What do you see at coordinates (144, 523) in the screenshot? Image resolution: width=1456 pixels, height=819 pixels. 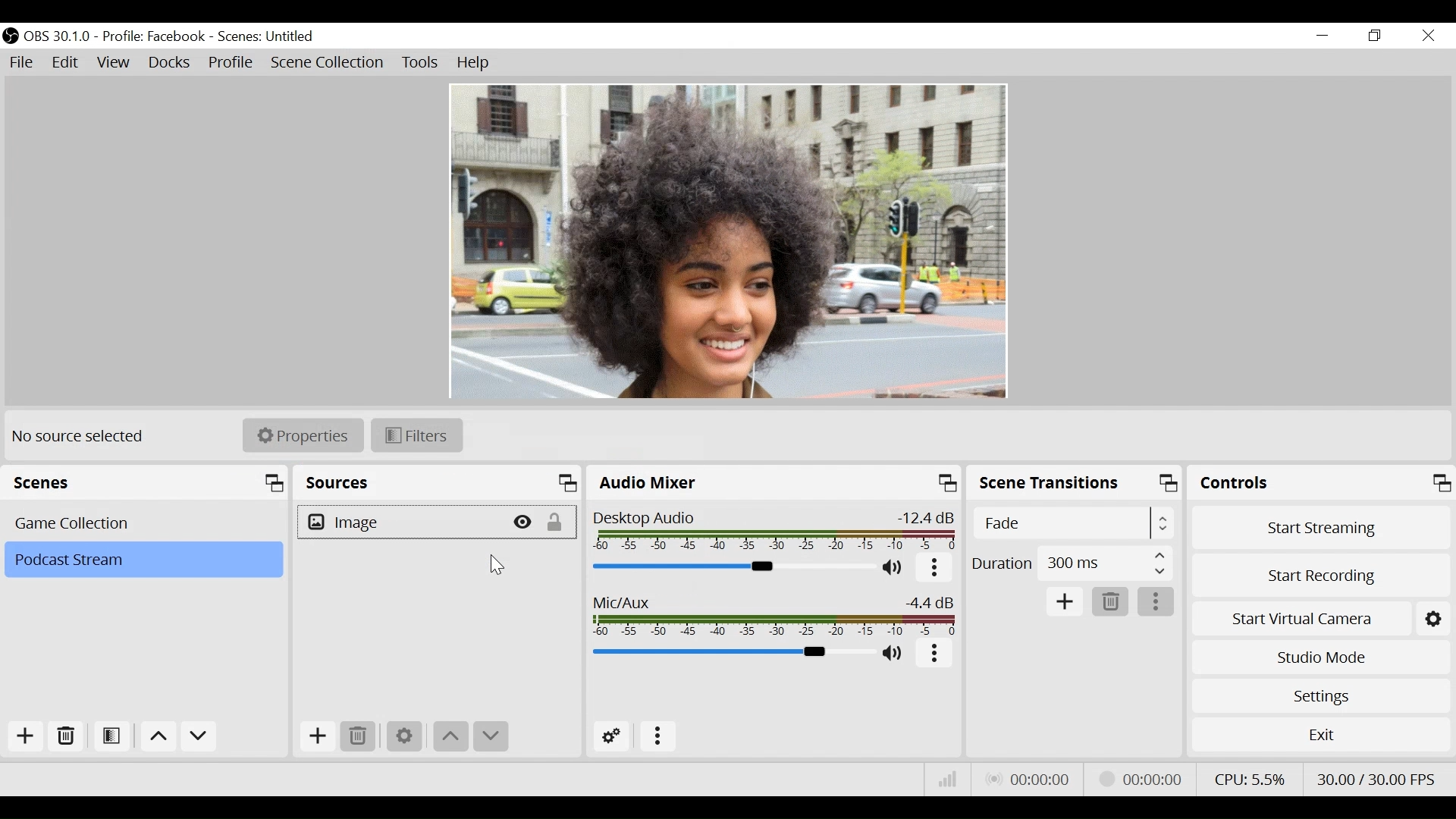 I see `Scene` at bounding box center [144, 523].